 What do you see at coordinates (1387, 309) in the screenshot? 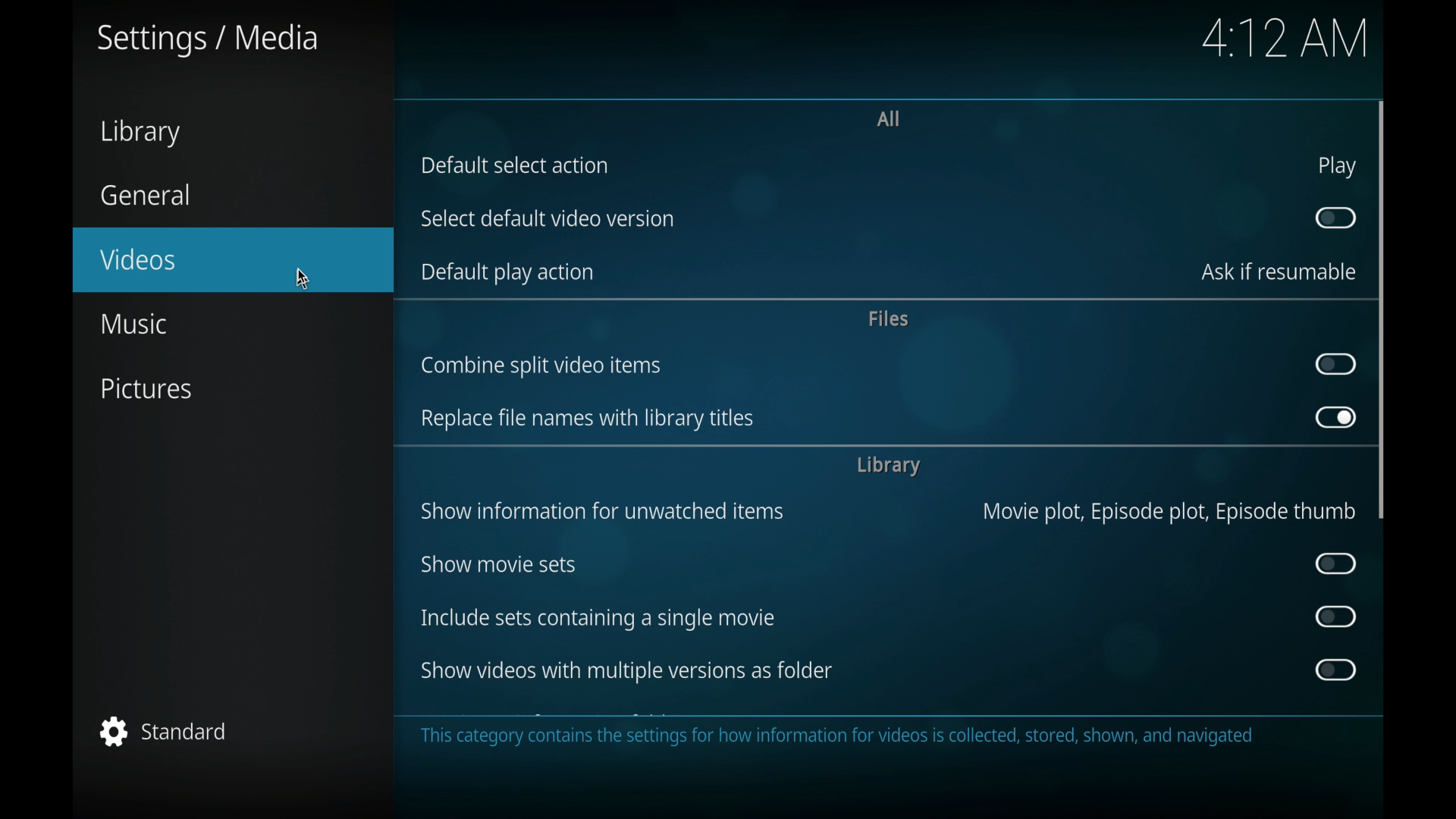
I see `vertical scroll bar` at bounding box center [1387, 309].